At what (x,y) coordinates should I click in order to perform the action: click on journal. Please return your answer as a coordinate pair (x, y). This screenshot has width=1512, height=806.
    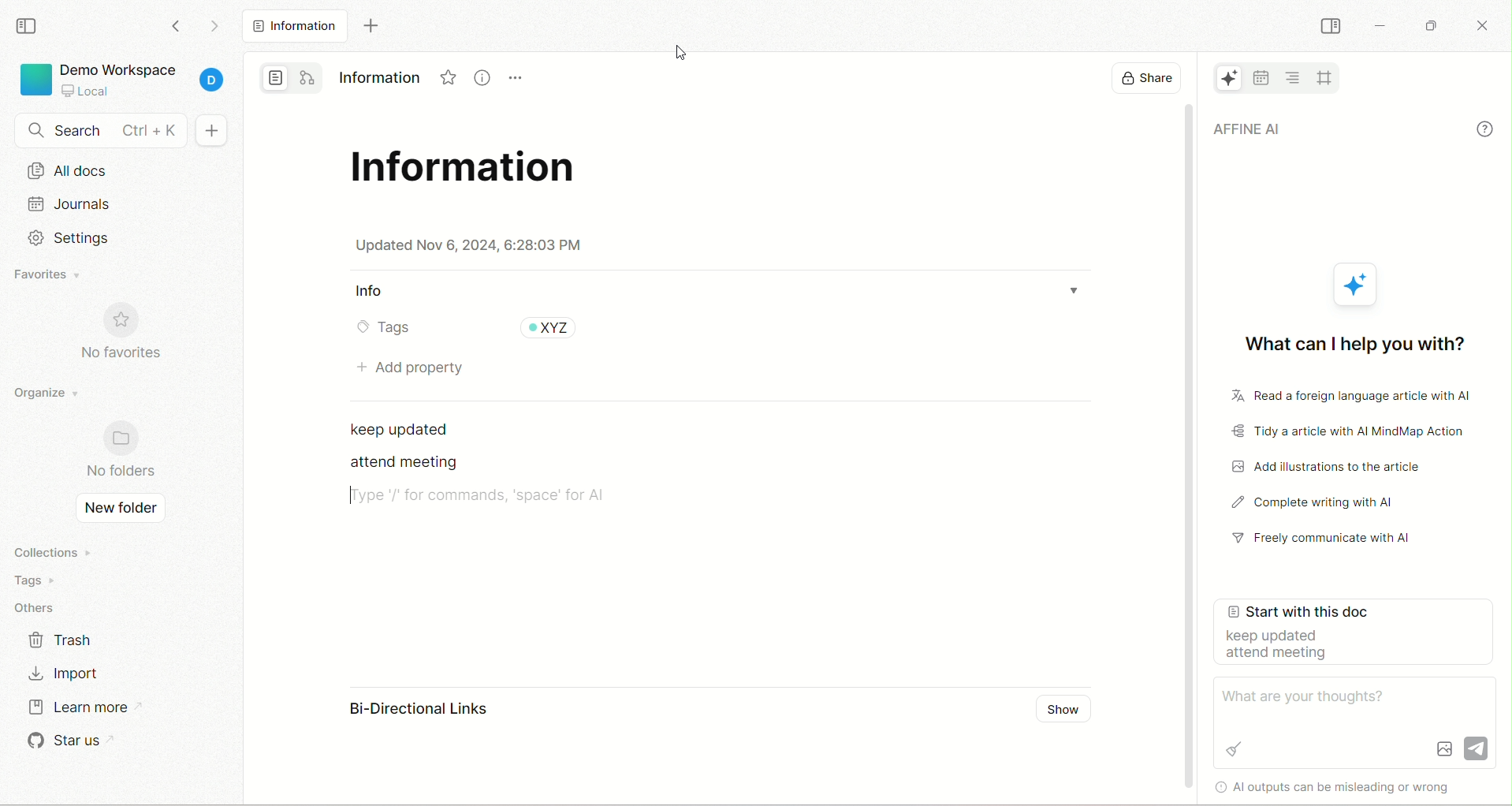
    Looking at the image, I should click on (122, 208).